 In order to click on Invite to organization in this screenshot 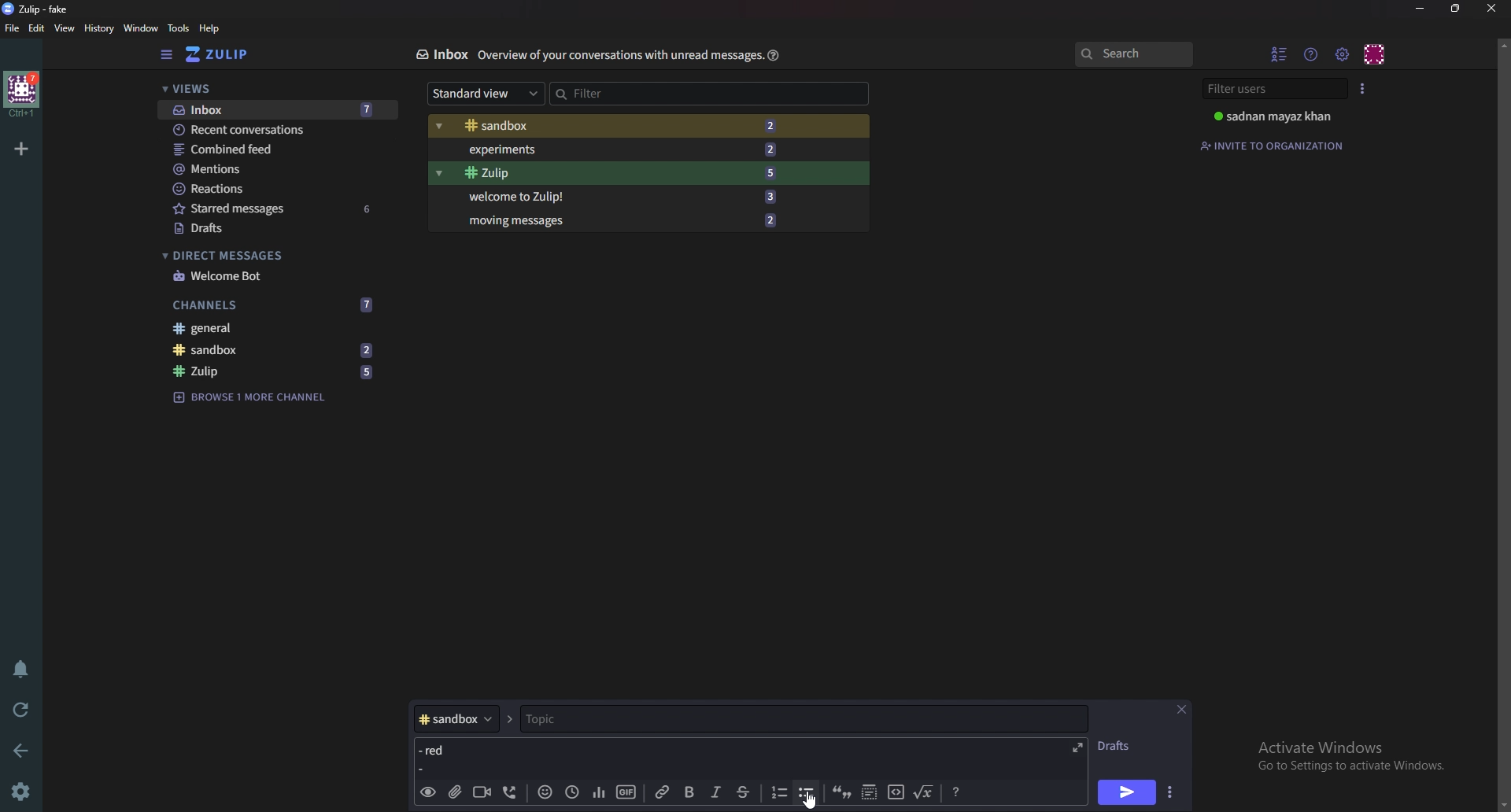, I will do `click(1274, 146)`.